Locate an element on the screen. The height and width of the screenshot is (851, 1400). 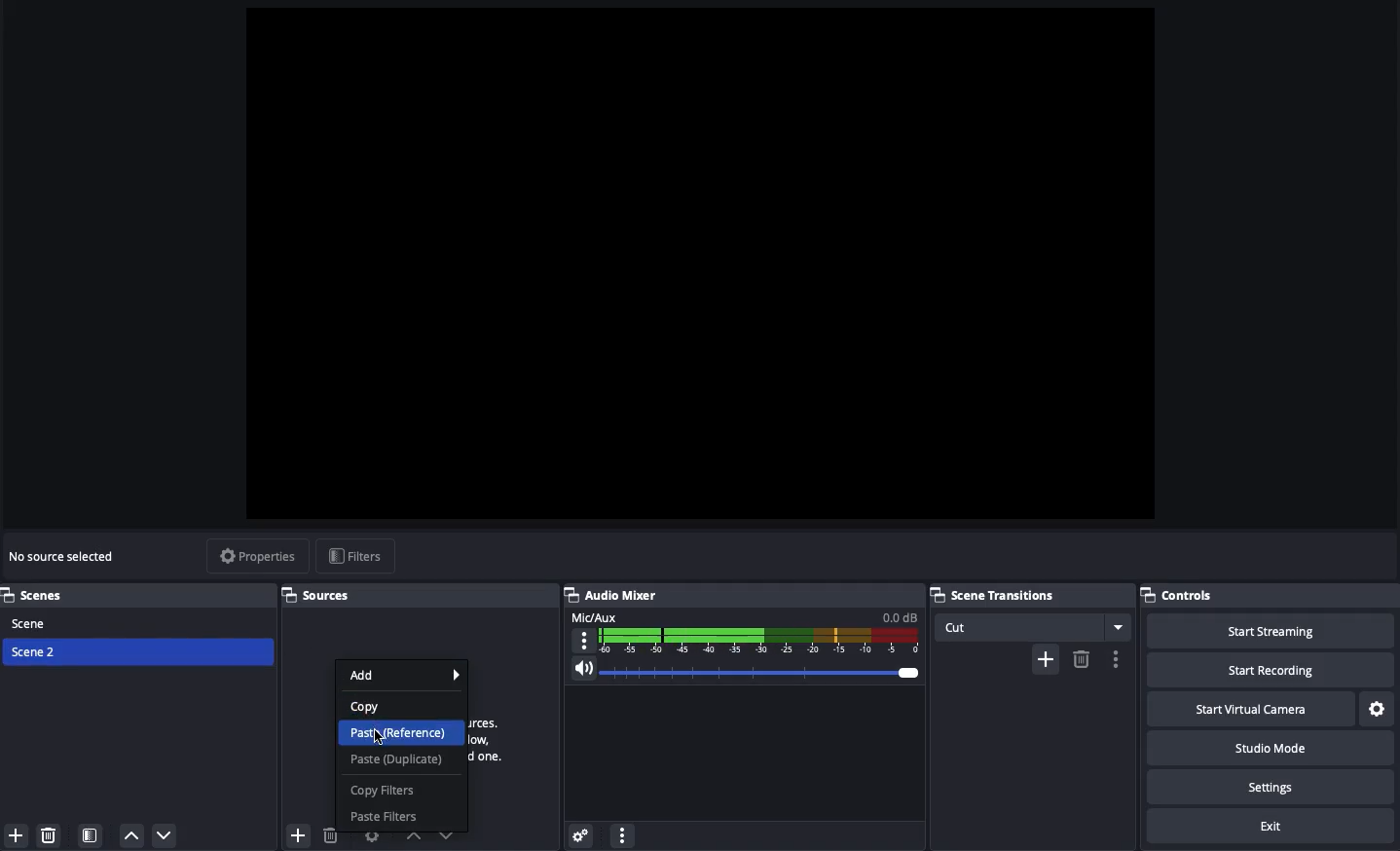
Scene filter is located at coordinates (91, 834).